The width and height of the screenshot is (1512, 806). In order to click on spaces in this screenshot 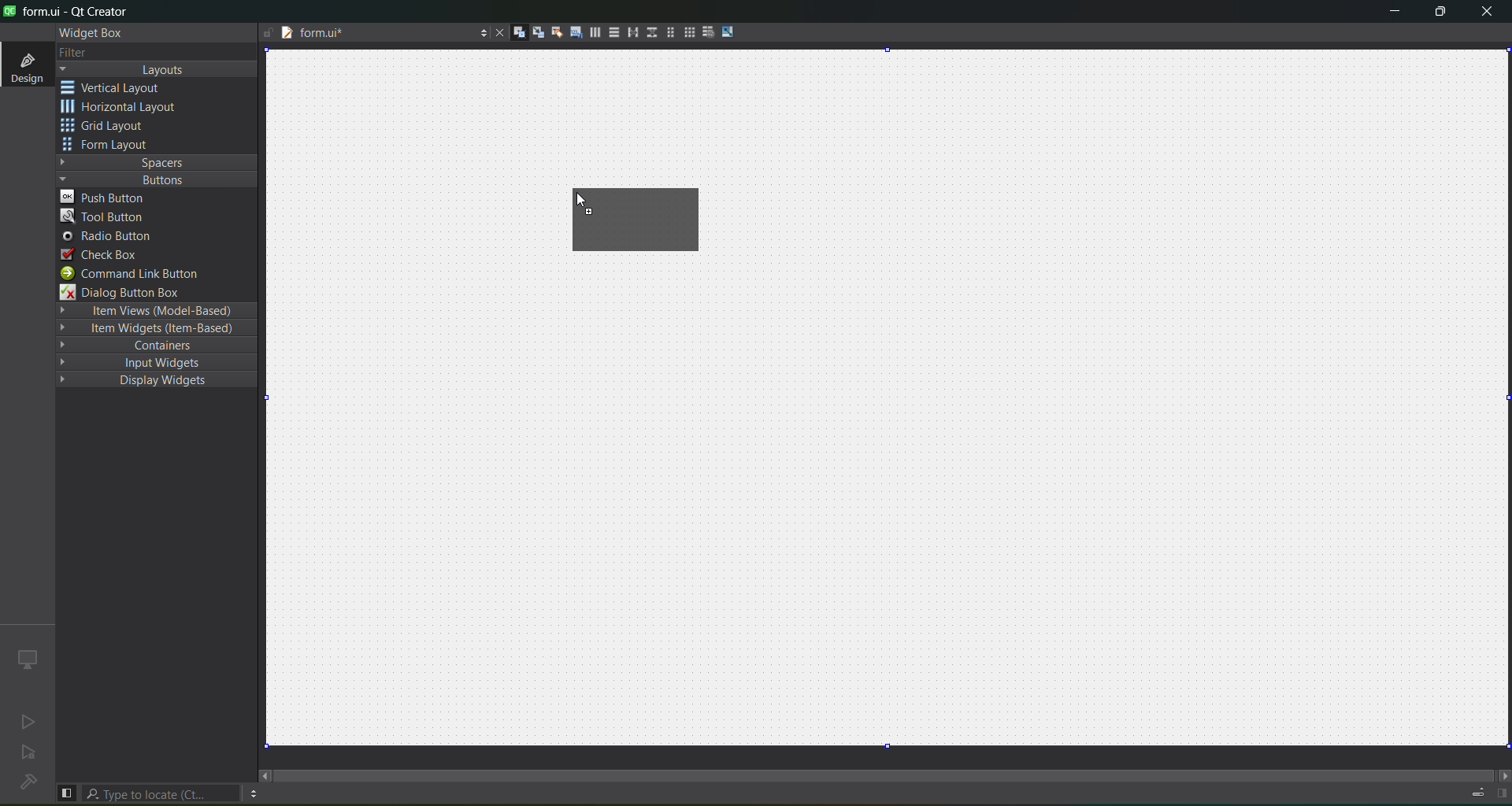, I will do `click(157, 161)`.